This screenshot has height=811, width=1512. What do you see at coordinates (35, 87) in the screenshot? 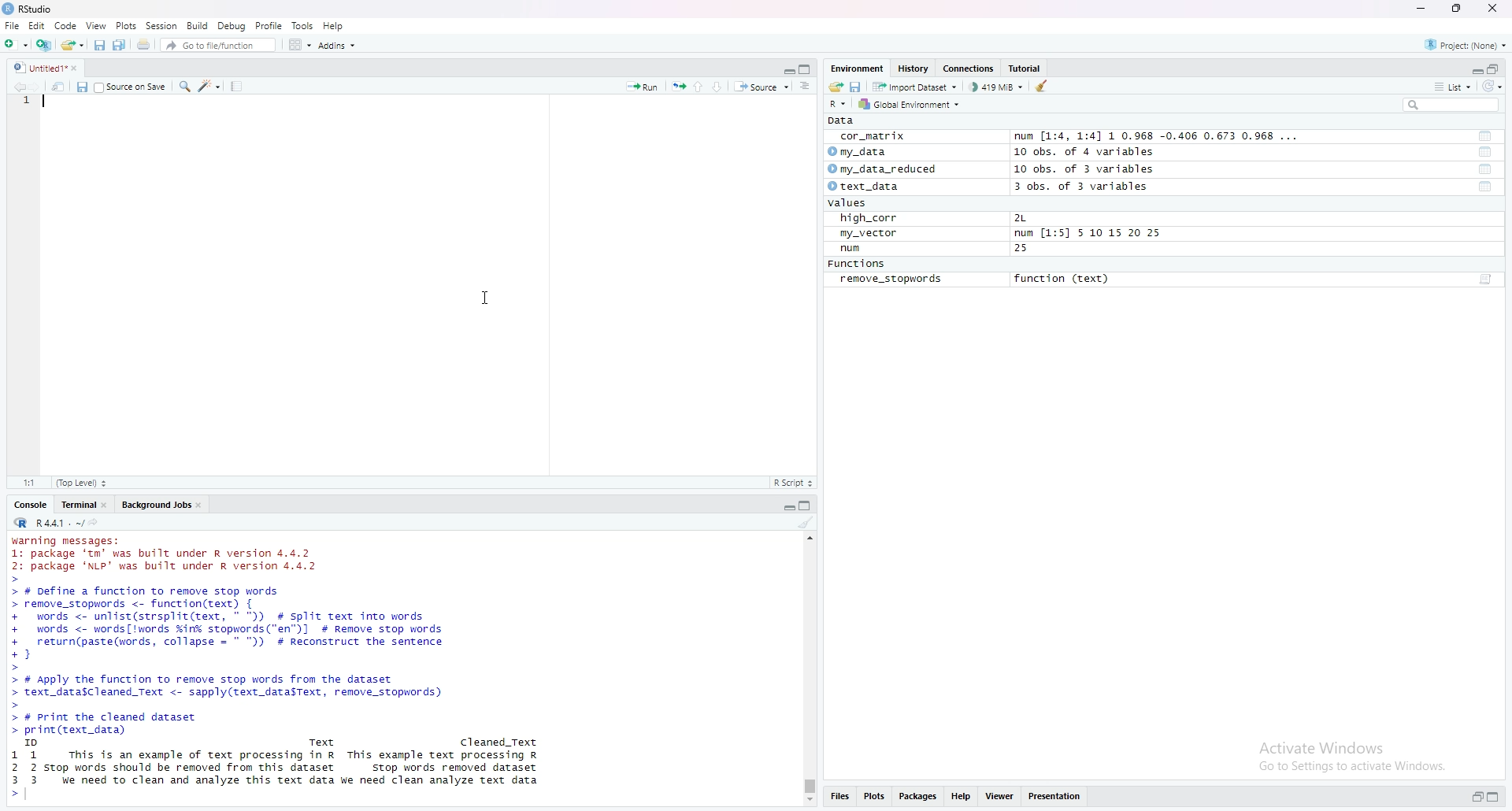
I see `Next` at bounding box center [35, 87].